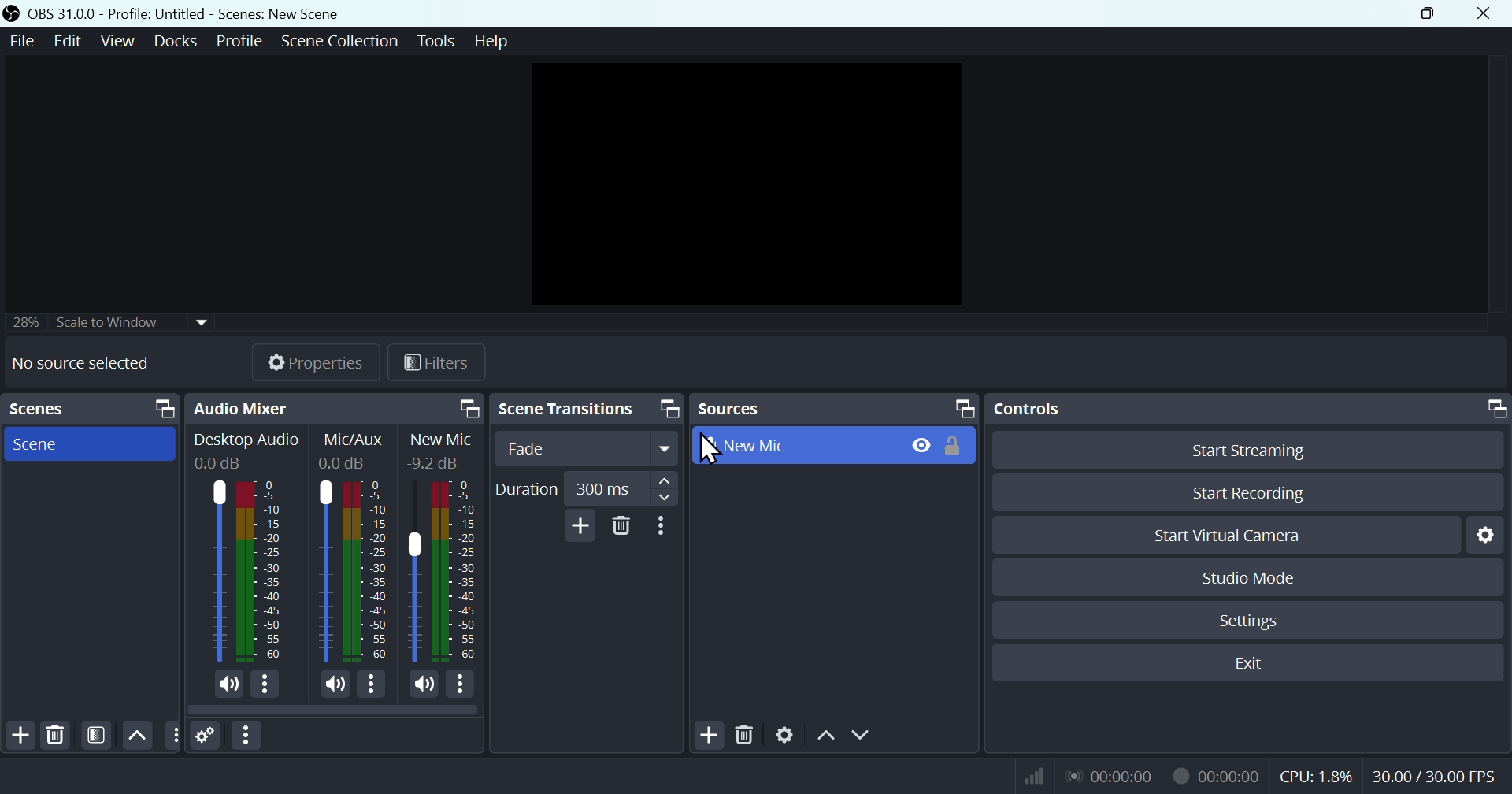 The width and height of the screenshot is (1512, 794). Describe the element at coordinates (263, 572) in the screenshot. I see `Desktop Audio` at that location.